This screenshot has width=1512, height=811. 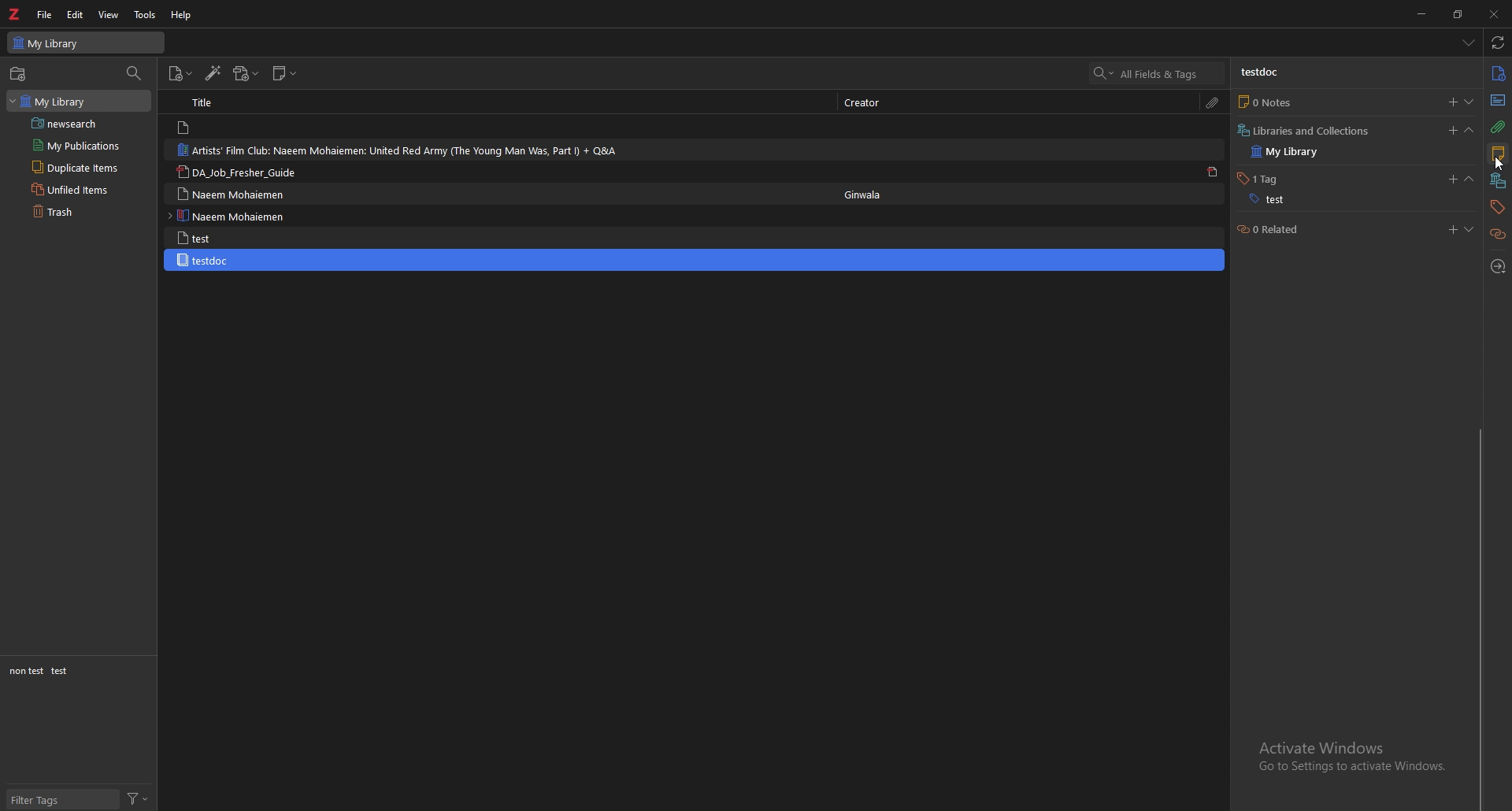 I want to click on edit, so click(x=75, y=14).